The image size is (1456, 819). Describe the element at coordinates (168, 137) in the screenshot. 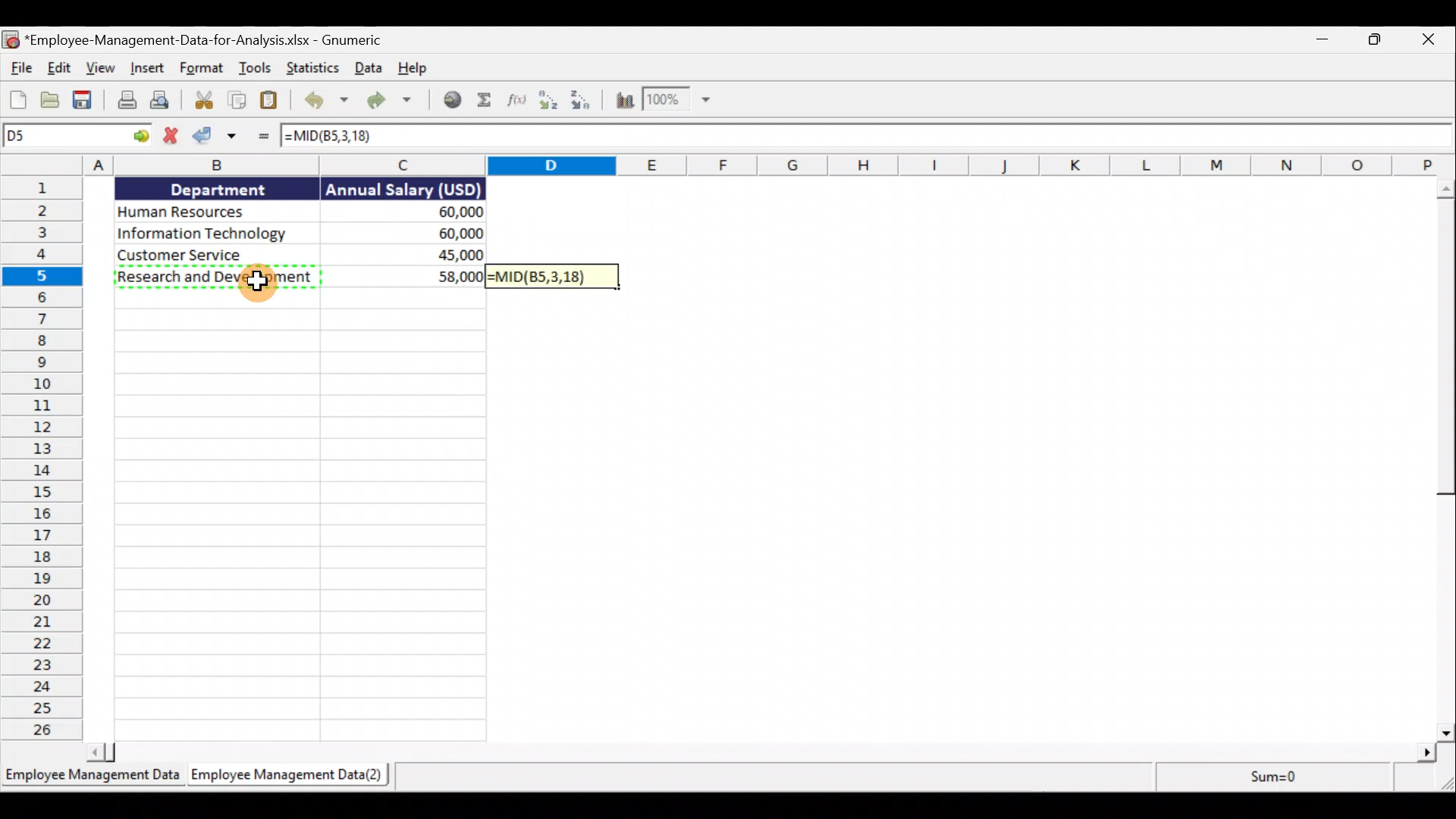

I see `Cancel change` at that location.